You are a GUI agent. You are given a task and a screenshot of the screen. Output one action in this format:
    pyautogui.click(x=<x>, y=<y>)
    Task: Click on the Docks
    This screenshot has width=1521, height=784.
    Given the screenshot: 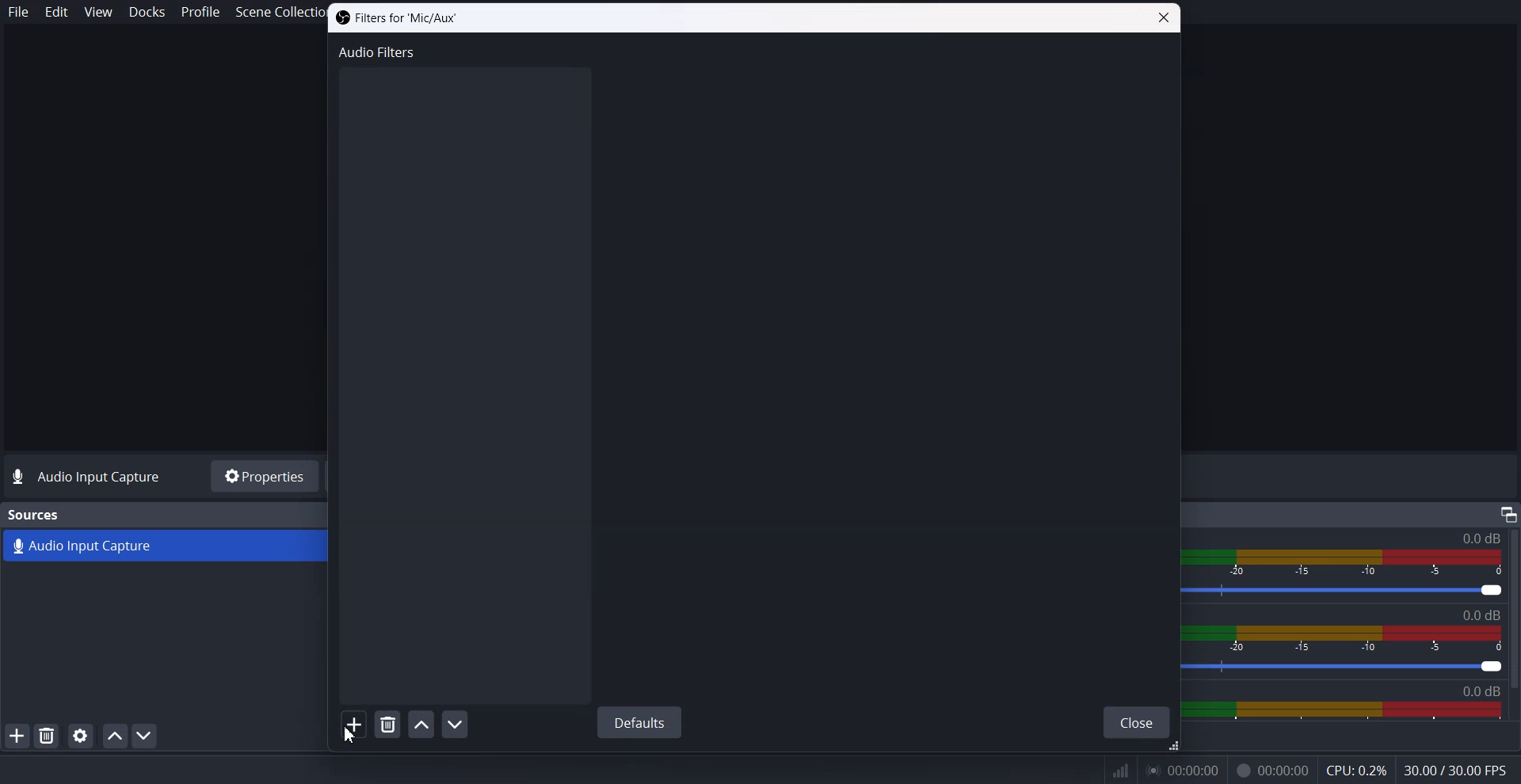 What is the action you would take?
    pyautogui.click(x=147, y=13)
    